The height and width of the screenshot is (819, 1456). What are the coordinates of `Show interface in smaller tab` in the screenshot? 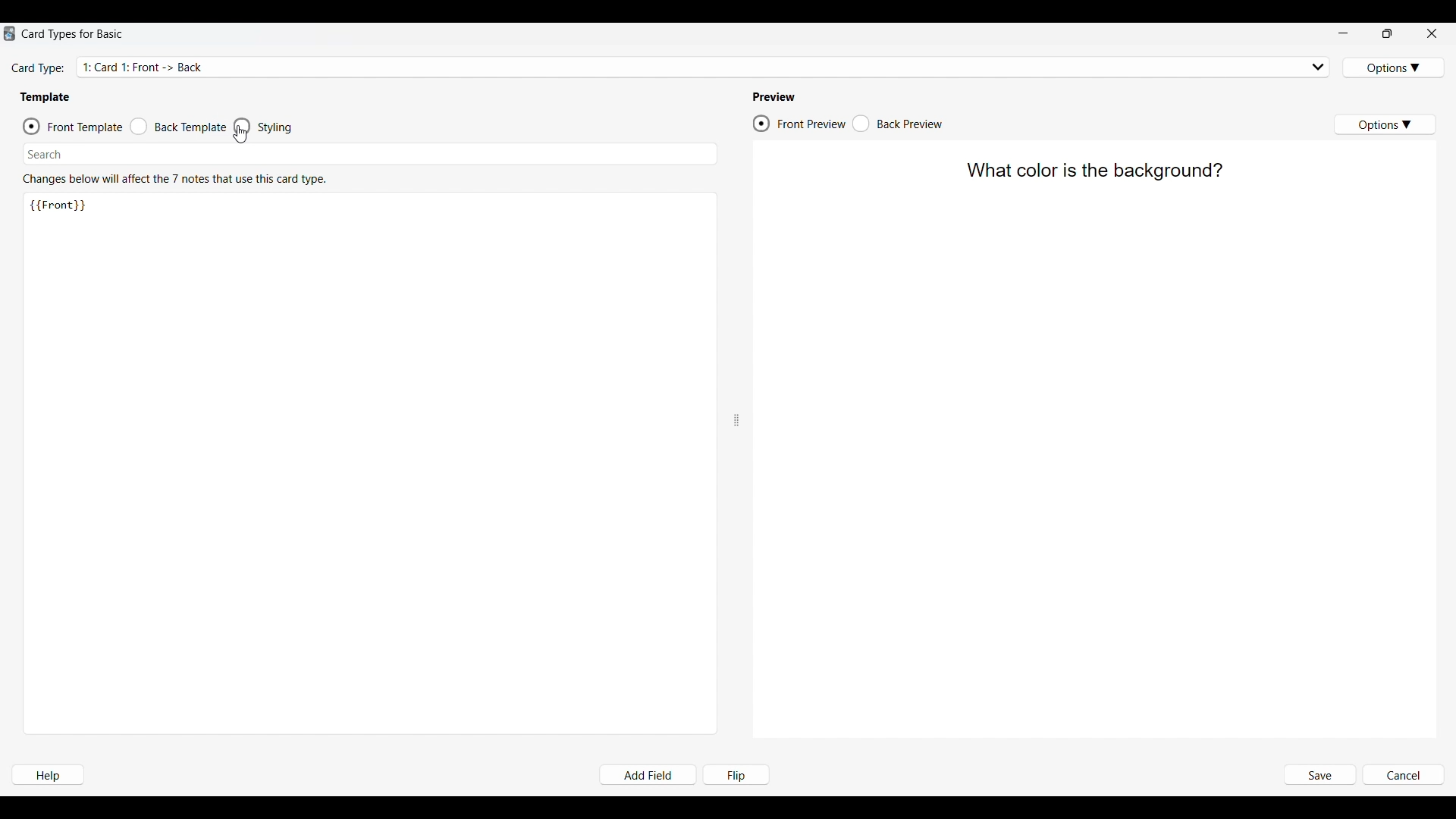 It's located at (1388, 33).